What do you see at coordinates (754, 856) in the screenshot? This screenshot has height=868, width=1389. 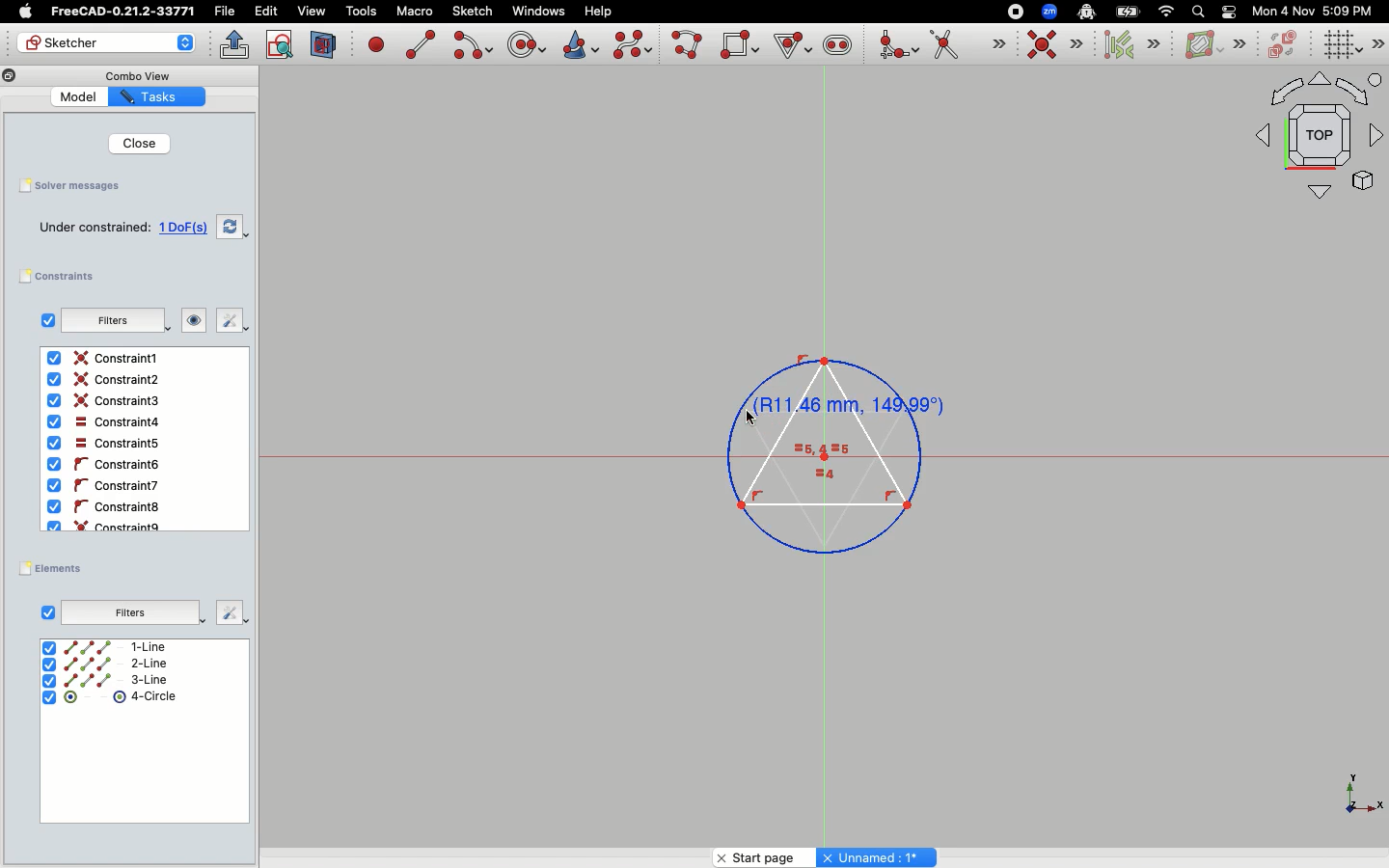 I see `Start page` at bounding box center [754, 856].